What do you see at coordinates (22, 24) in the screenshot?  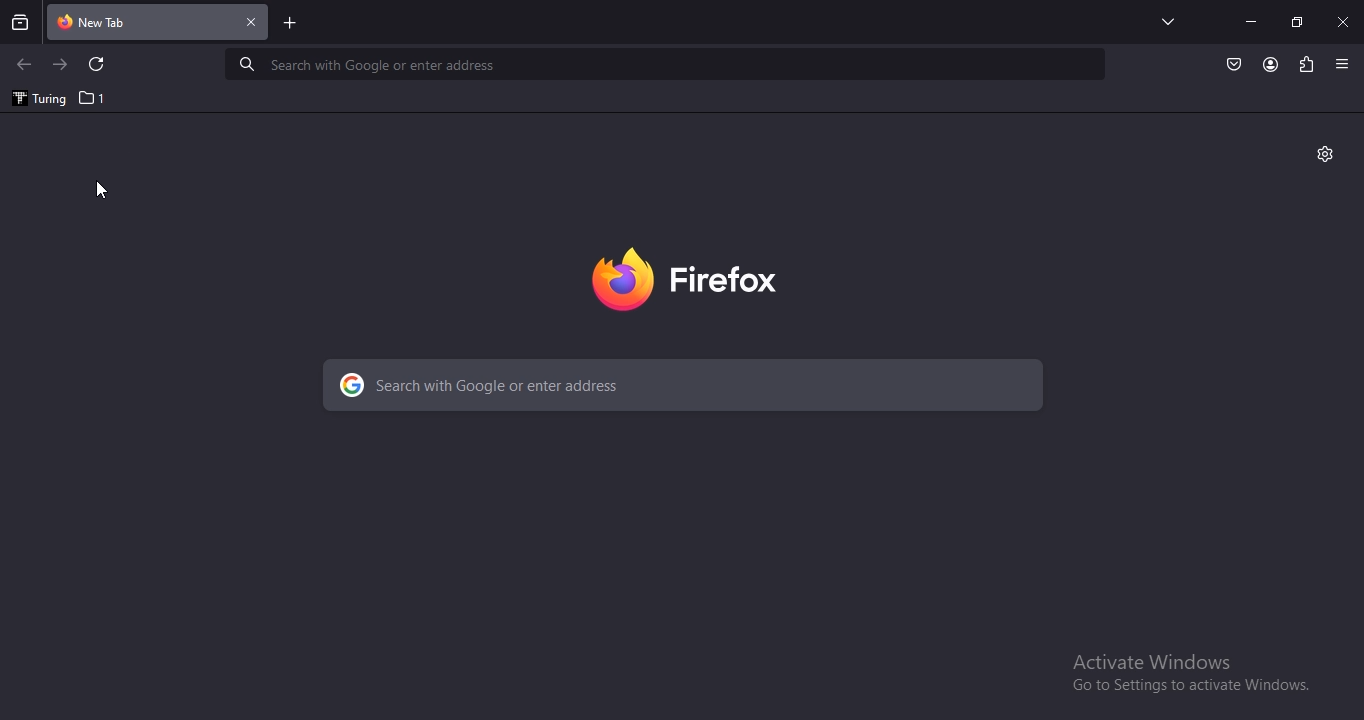 I see `search all recent and current tabs` at bounding box center [22, 24].